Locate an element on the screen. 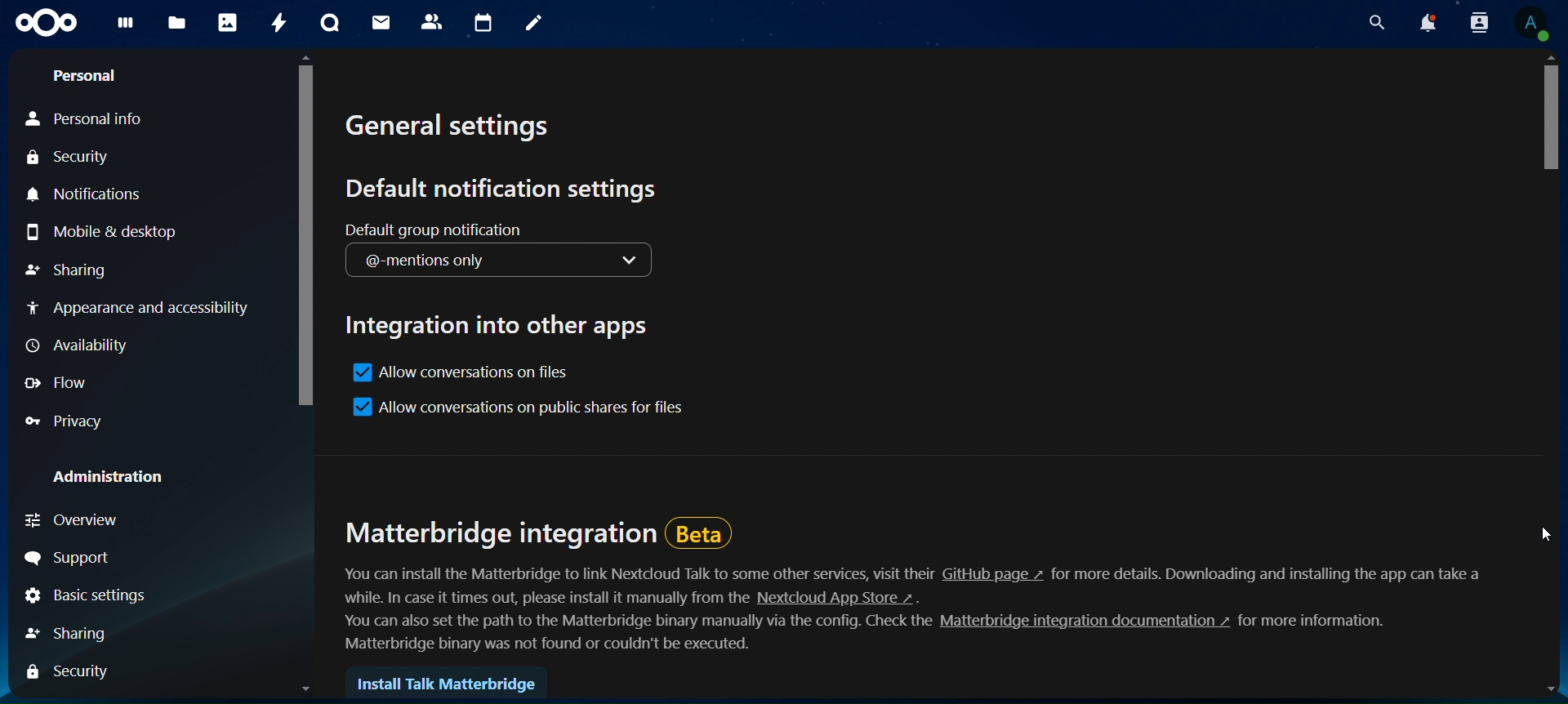  security is located at coordinates (69, 676).